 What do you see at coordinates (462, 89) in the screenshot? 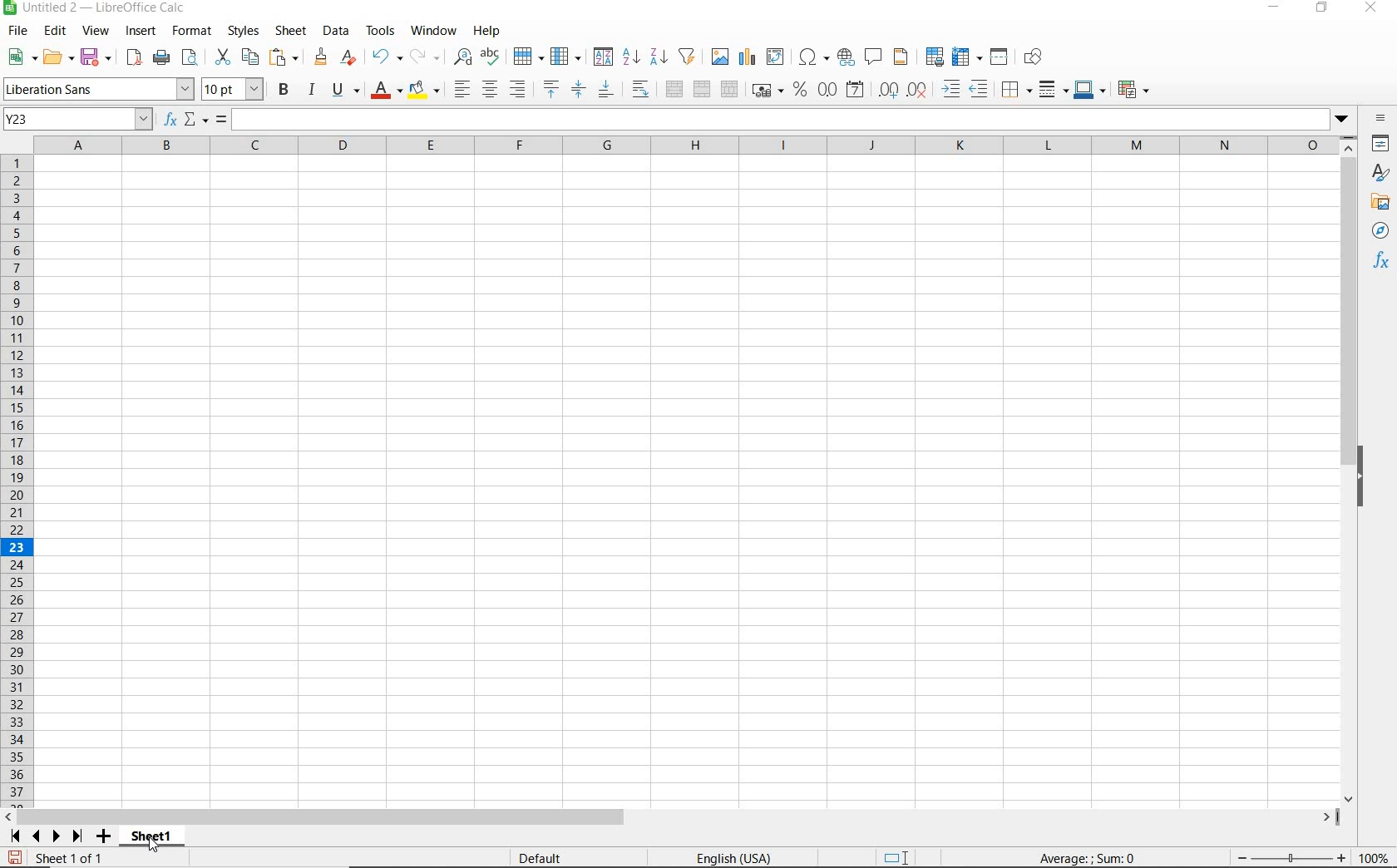
I see `ALIGN LEFT` at bounding box center [462, 89].